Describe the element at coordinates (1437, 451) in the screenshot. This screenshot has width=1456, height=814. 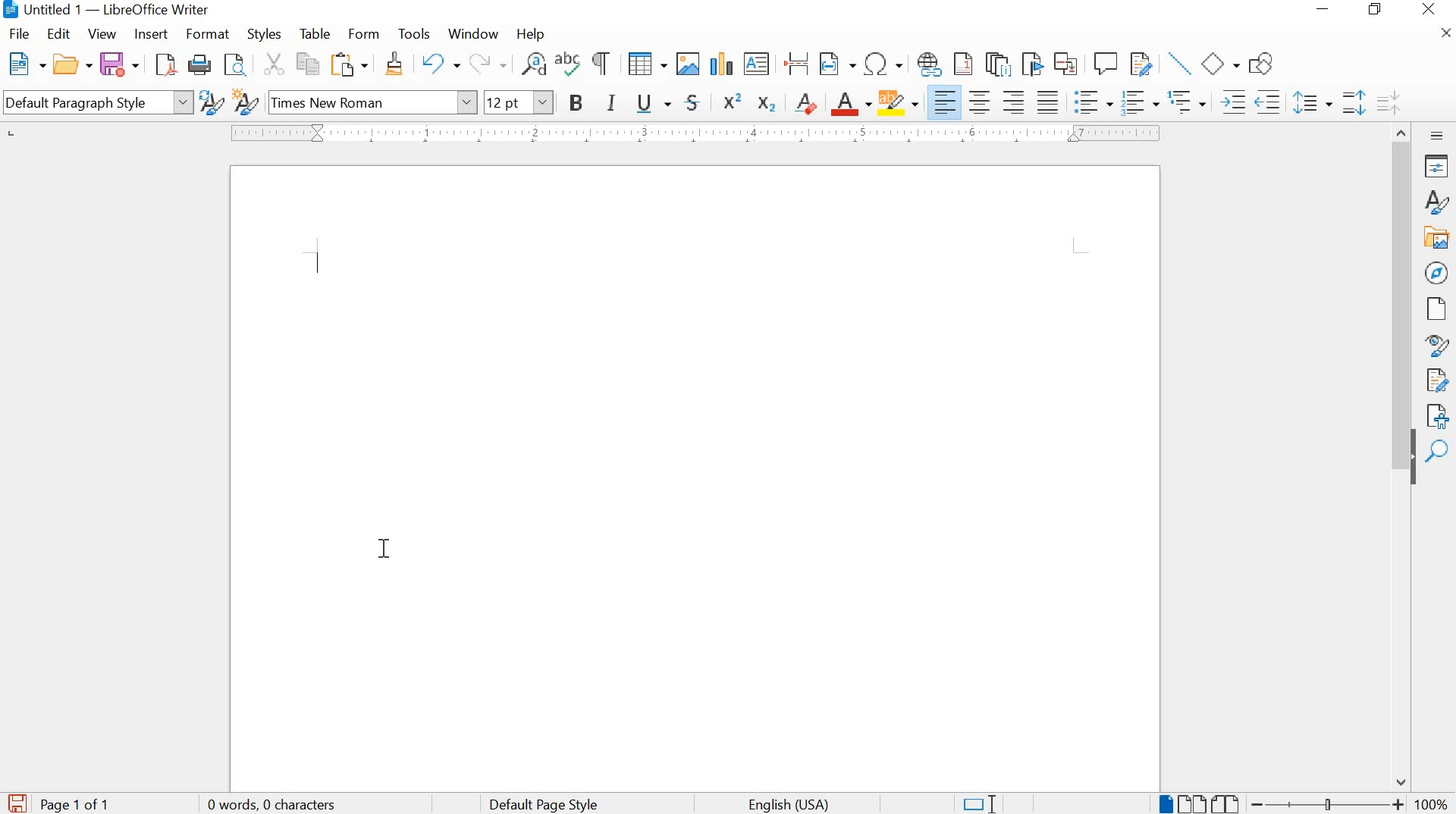
I see `FIND` at that location.